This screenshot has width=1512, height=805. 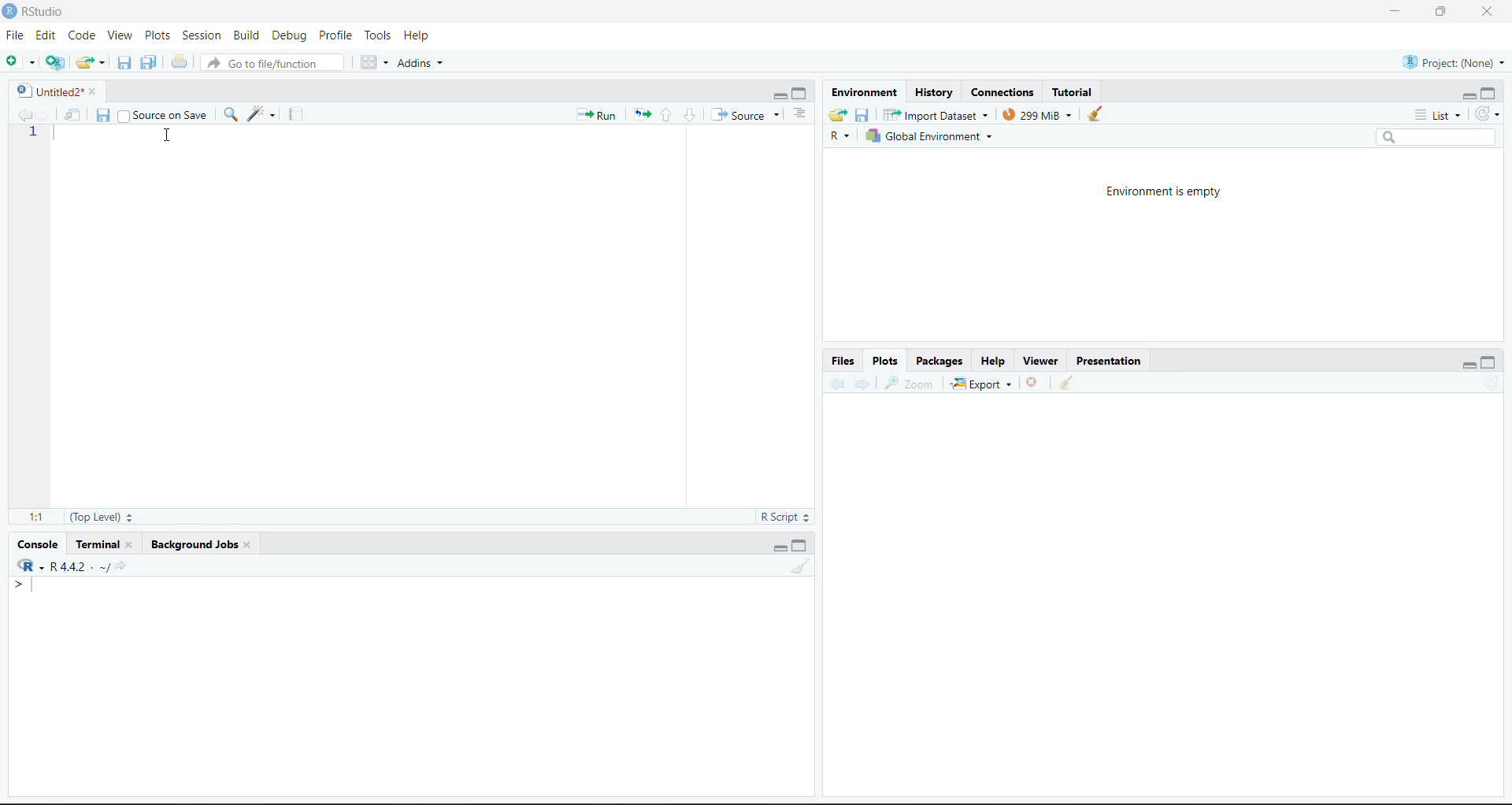 I want to click on History, so click(x=935, y=92).